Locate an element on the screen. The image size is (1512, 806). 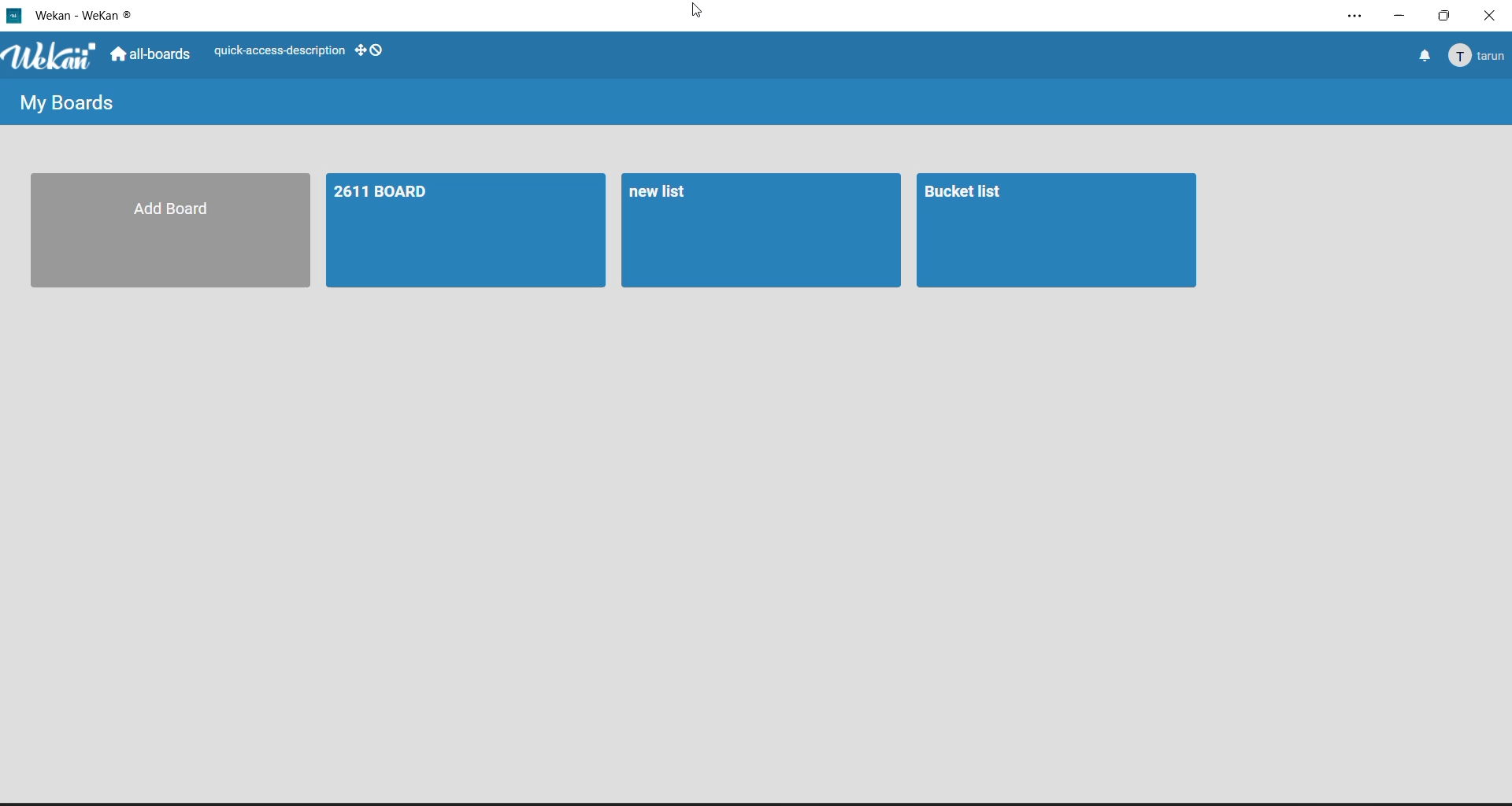
quick access description is located at coordinates (279, 54).